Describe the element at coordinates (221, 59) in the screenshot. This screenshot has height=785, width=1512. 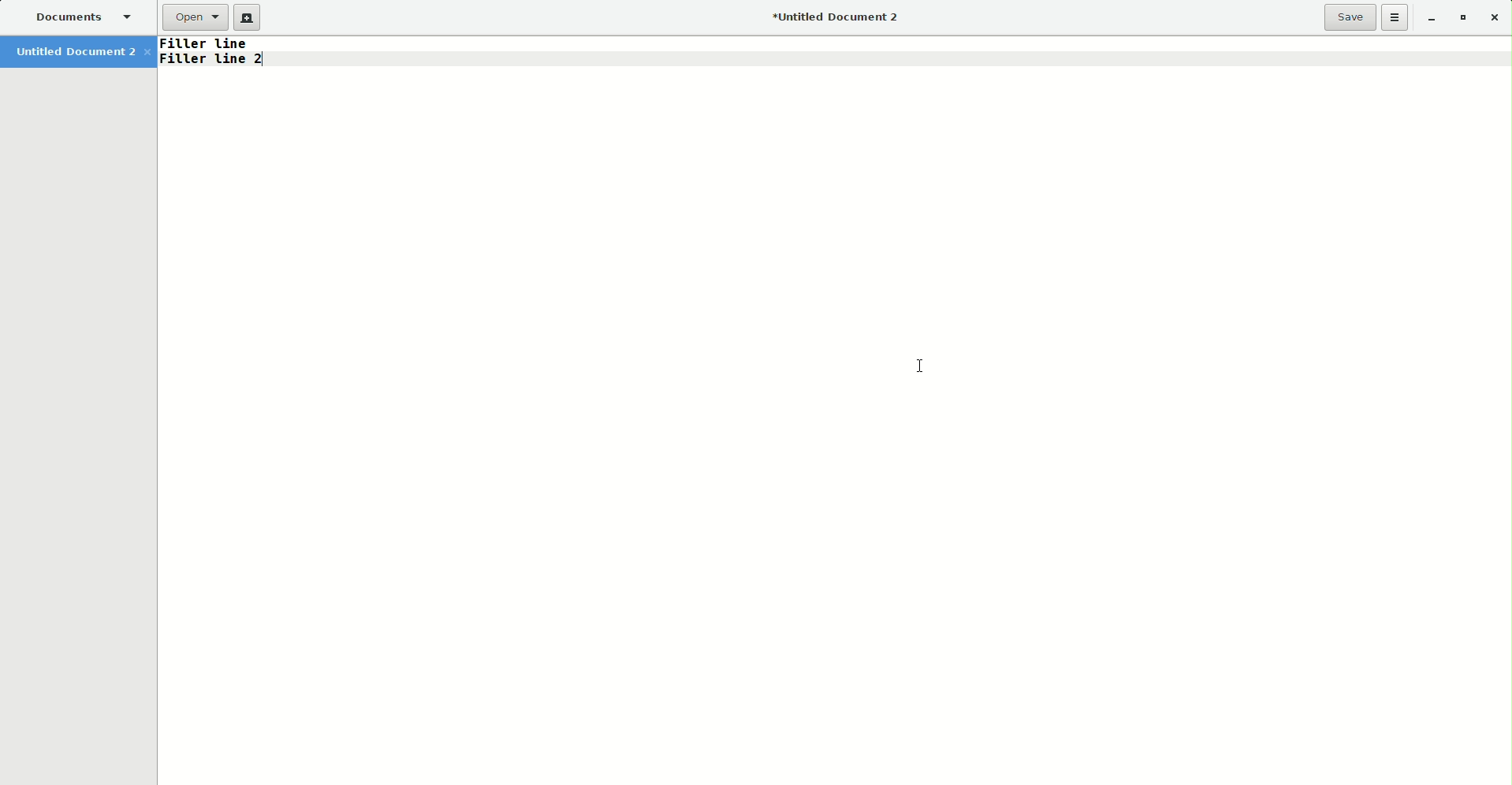
I see `Text` at that location.